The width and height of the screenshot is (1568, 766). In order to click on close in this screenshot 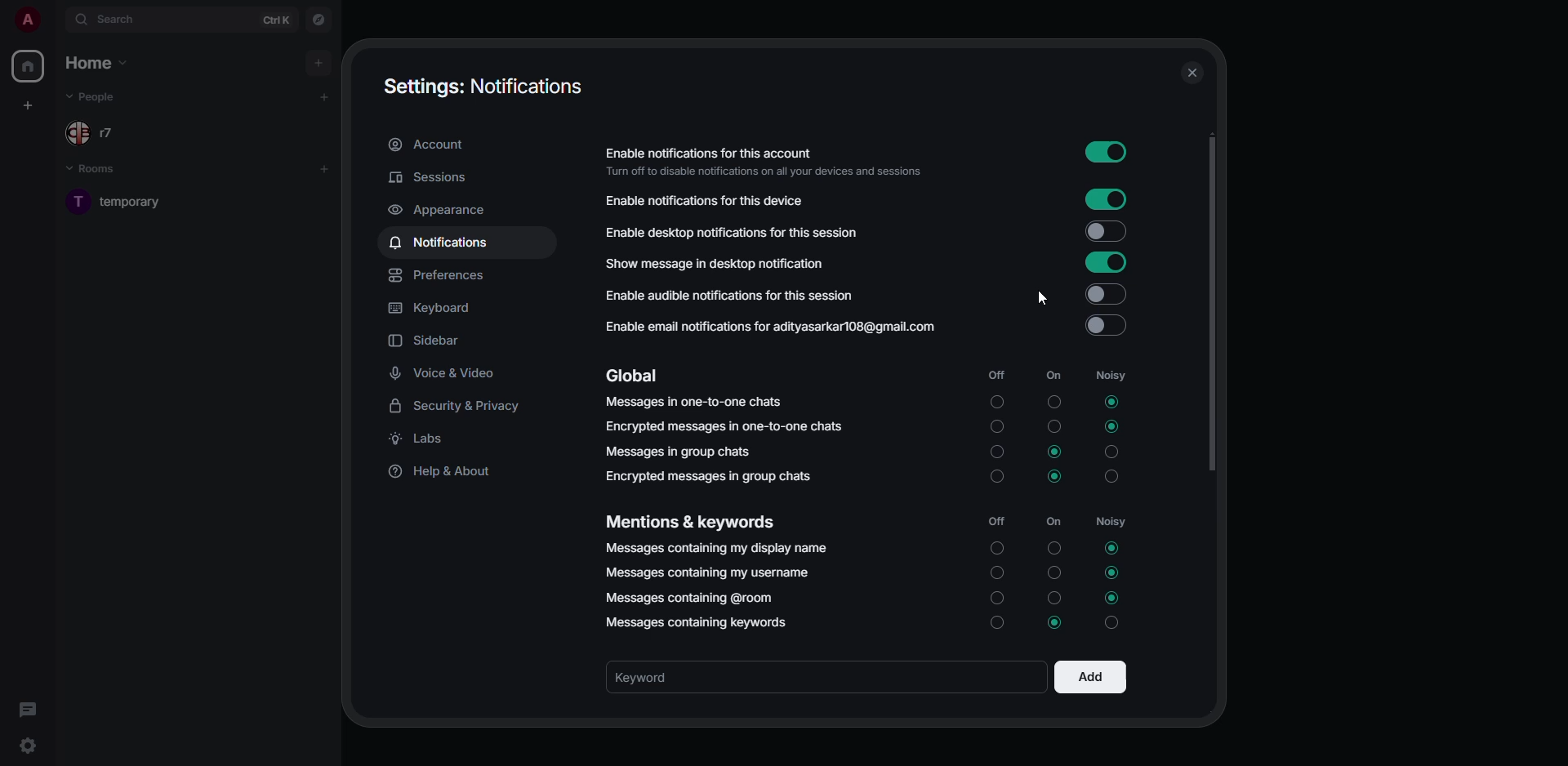, I will do `click(1192, 72)`.